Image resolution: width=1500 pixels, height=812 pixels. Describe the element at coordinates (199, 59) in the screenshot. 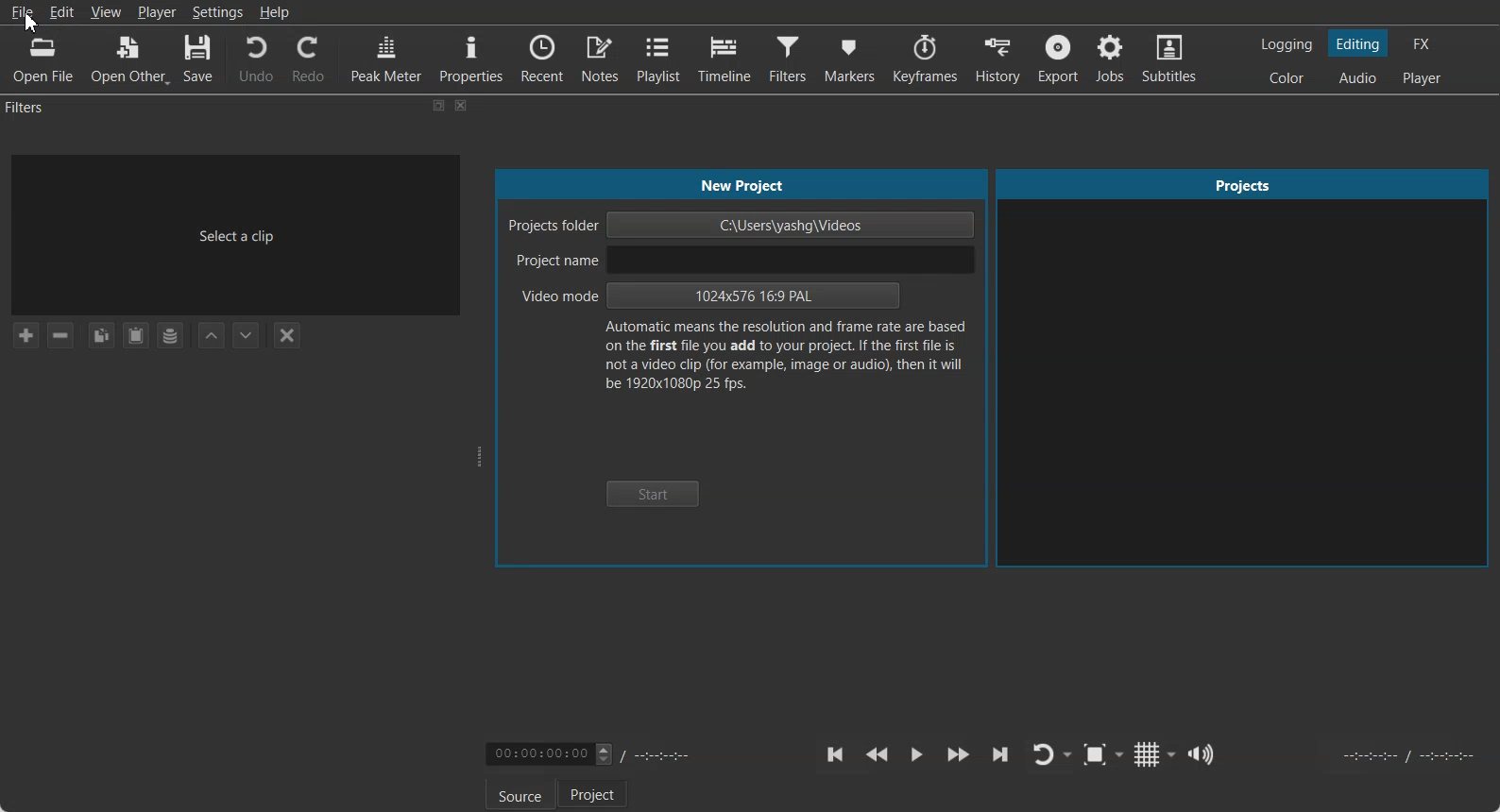

I see `Save` at that location.